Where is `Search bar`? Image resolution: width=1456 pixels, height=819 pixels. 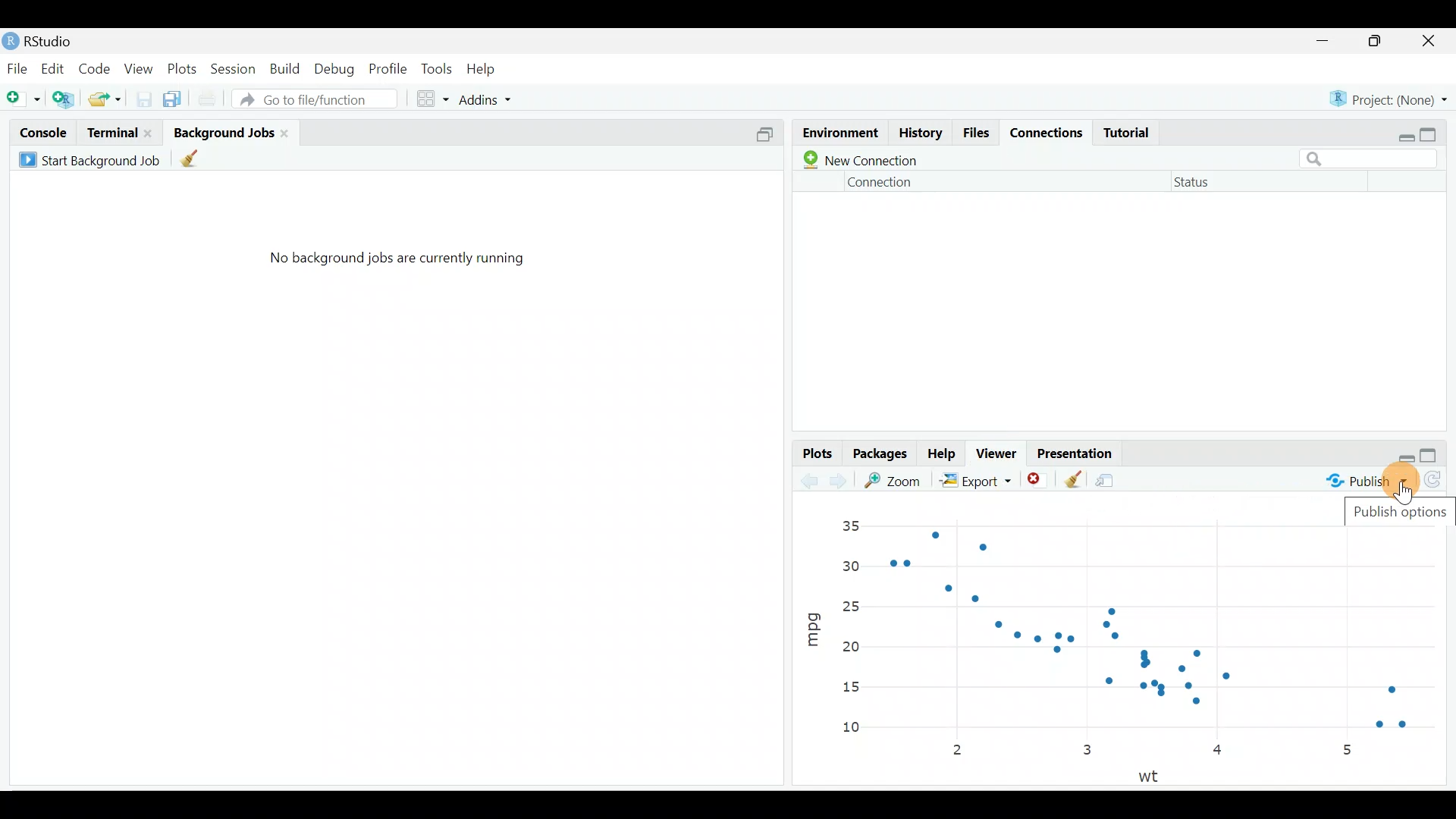 Search bar is located at coordinates (1374, 157).